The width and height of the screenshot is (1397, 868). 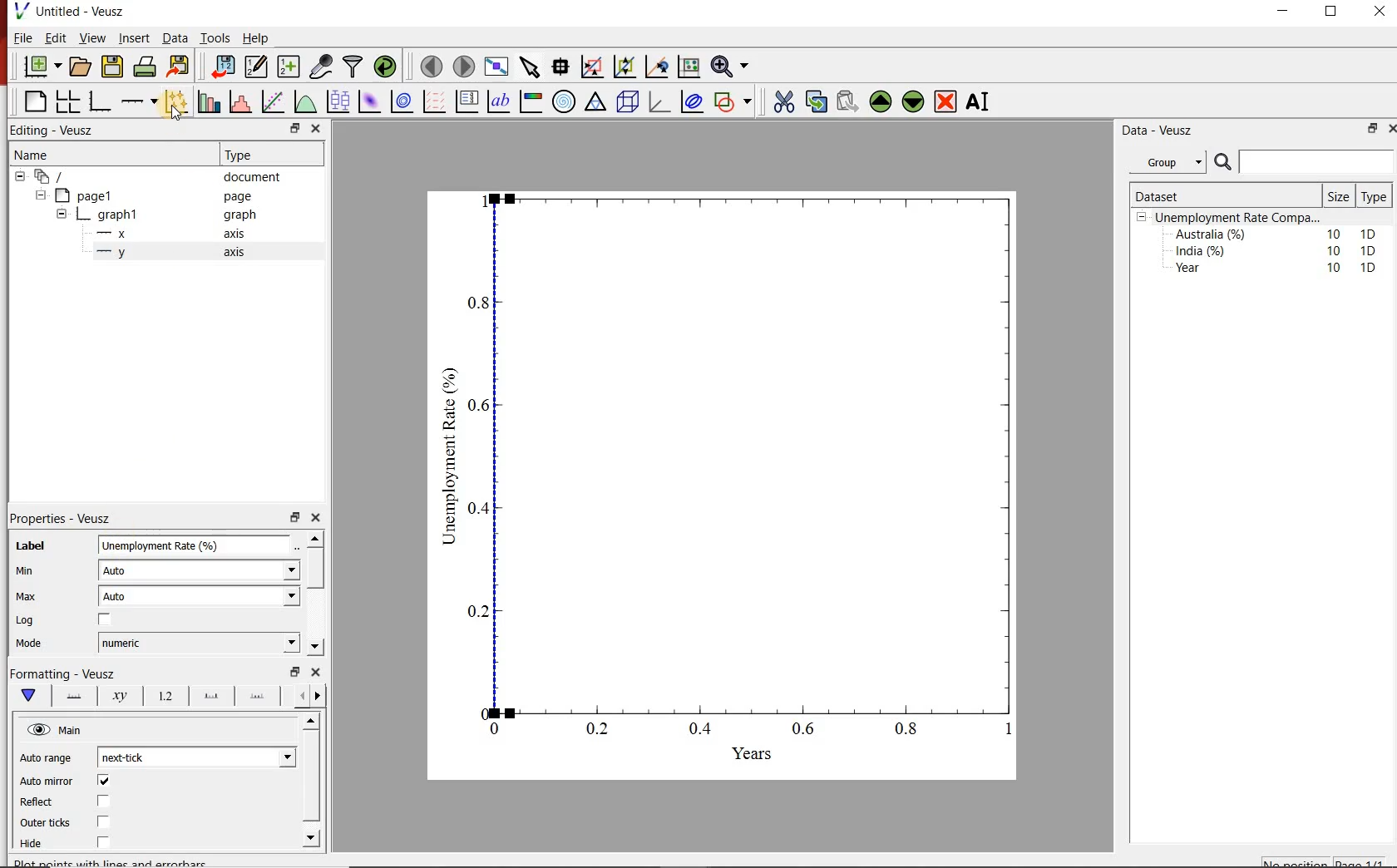 What do you see at coordinates (1340, 196) in the screenshot?
I see `Size` at bounding box center [1340, 196].